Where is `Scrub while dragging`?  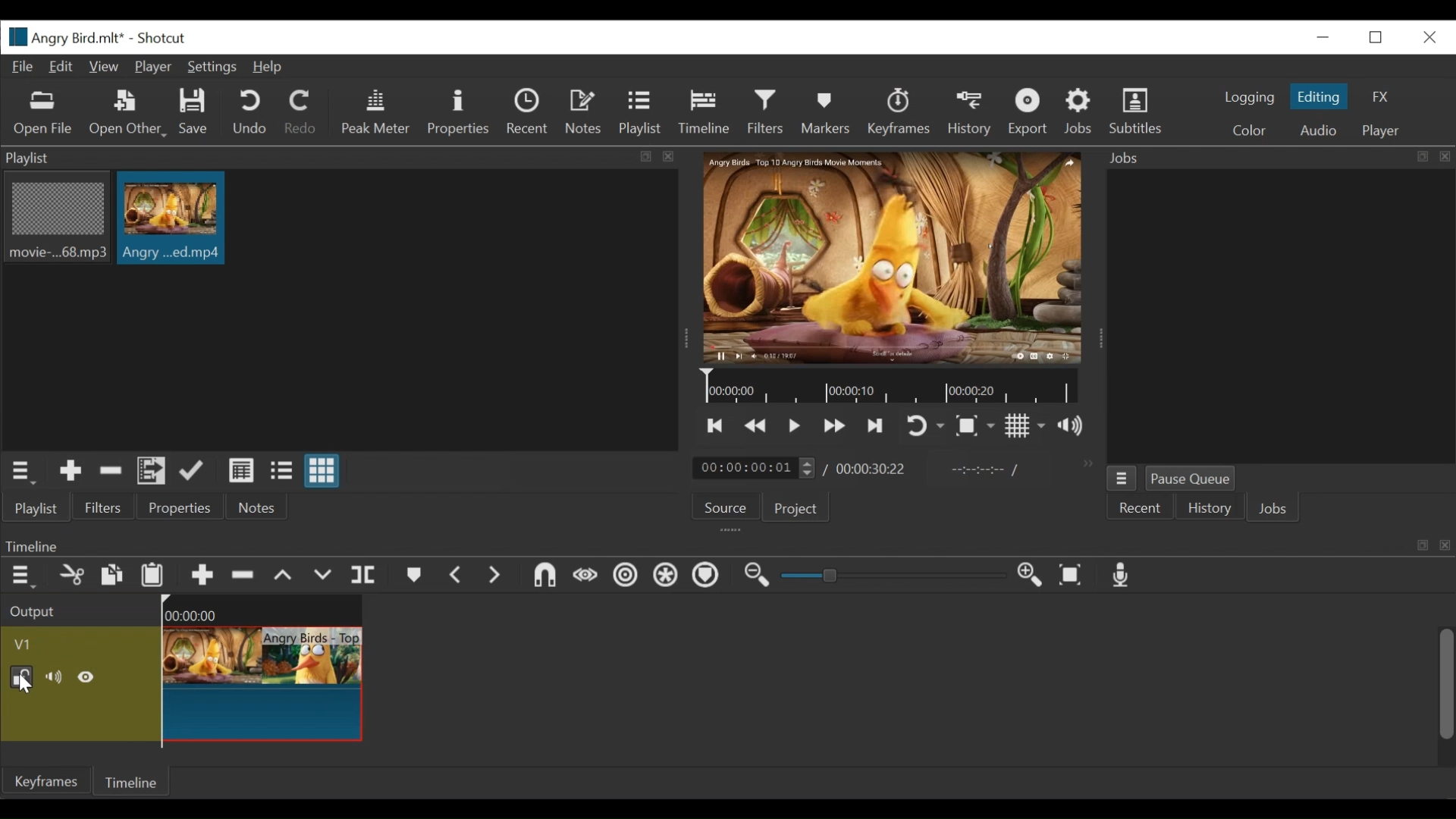 Scrub while dragging is located at coordinates (585, 578).